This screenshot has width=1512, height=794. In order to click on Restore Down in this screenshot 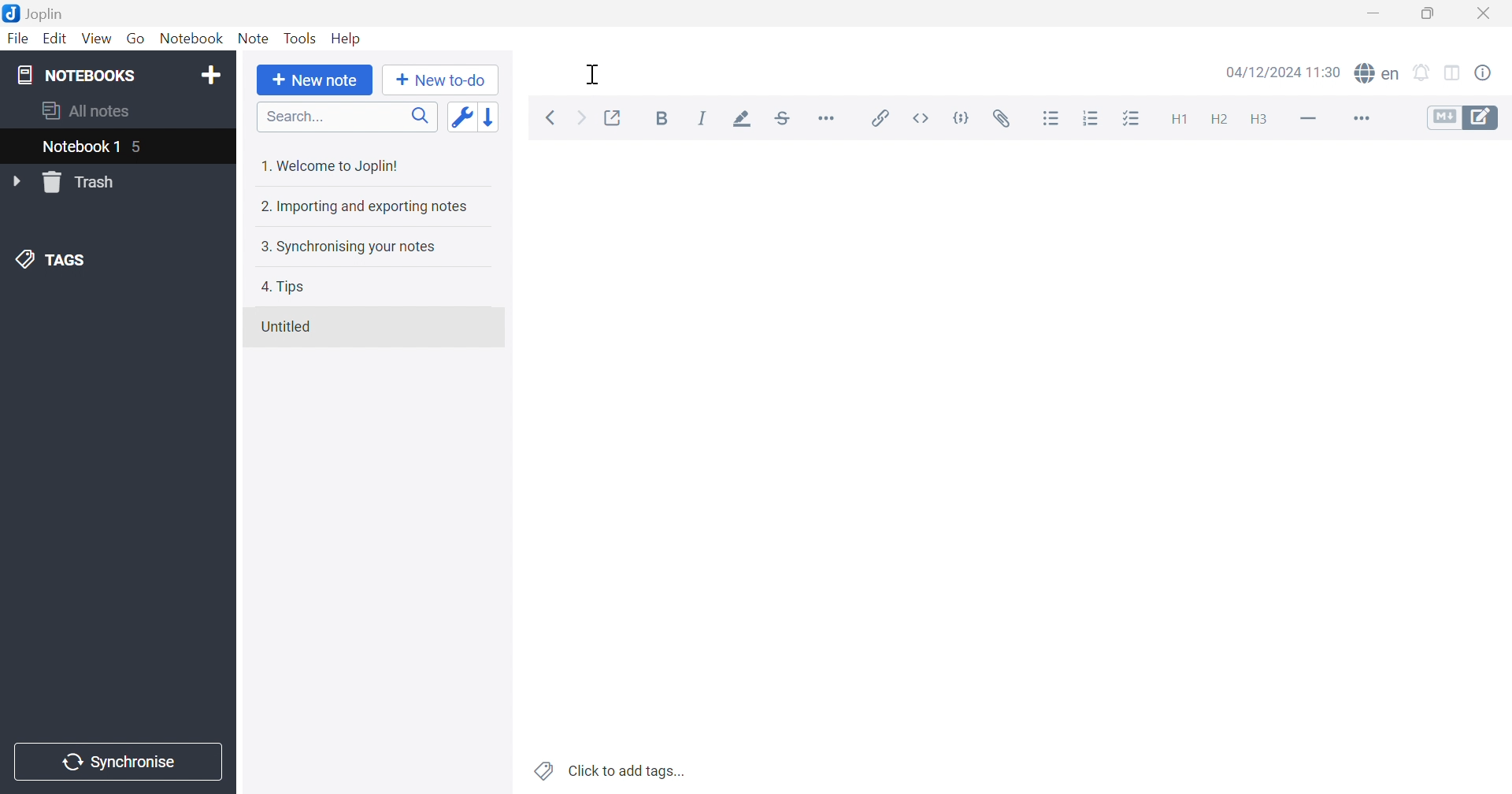, I will do `click(1429, 14)`.